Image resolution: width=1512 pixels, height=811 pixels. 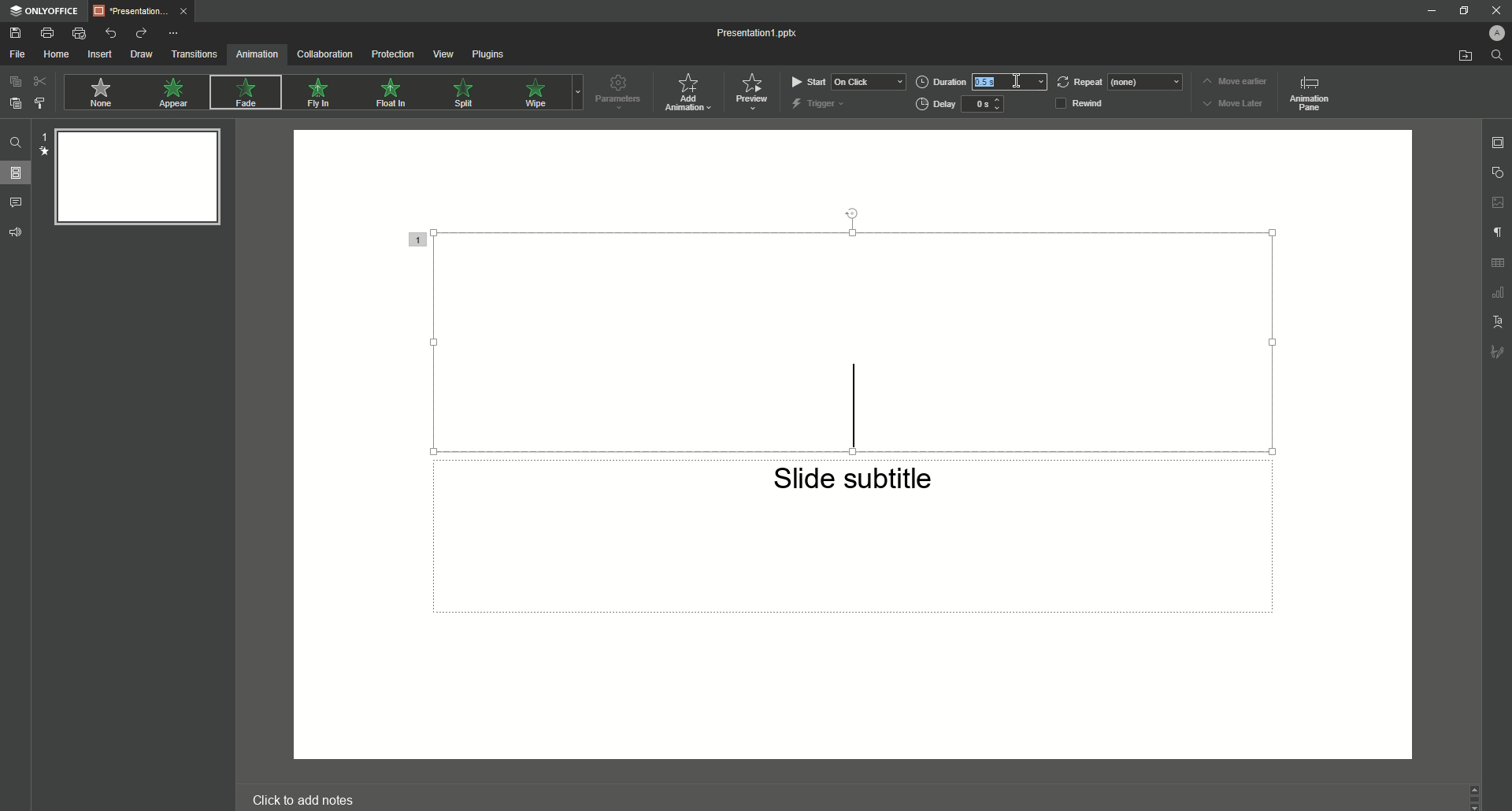 I want to click on Move Later, so click(x=1236, y=103).